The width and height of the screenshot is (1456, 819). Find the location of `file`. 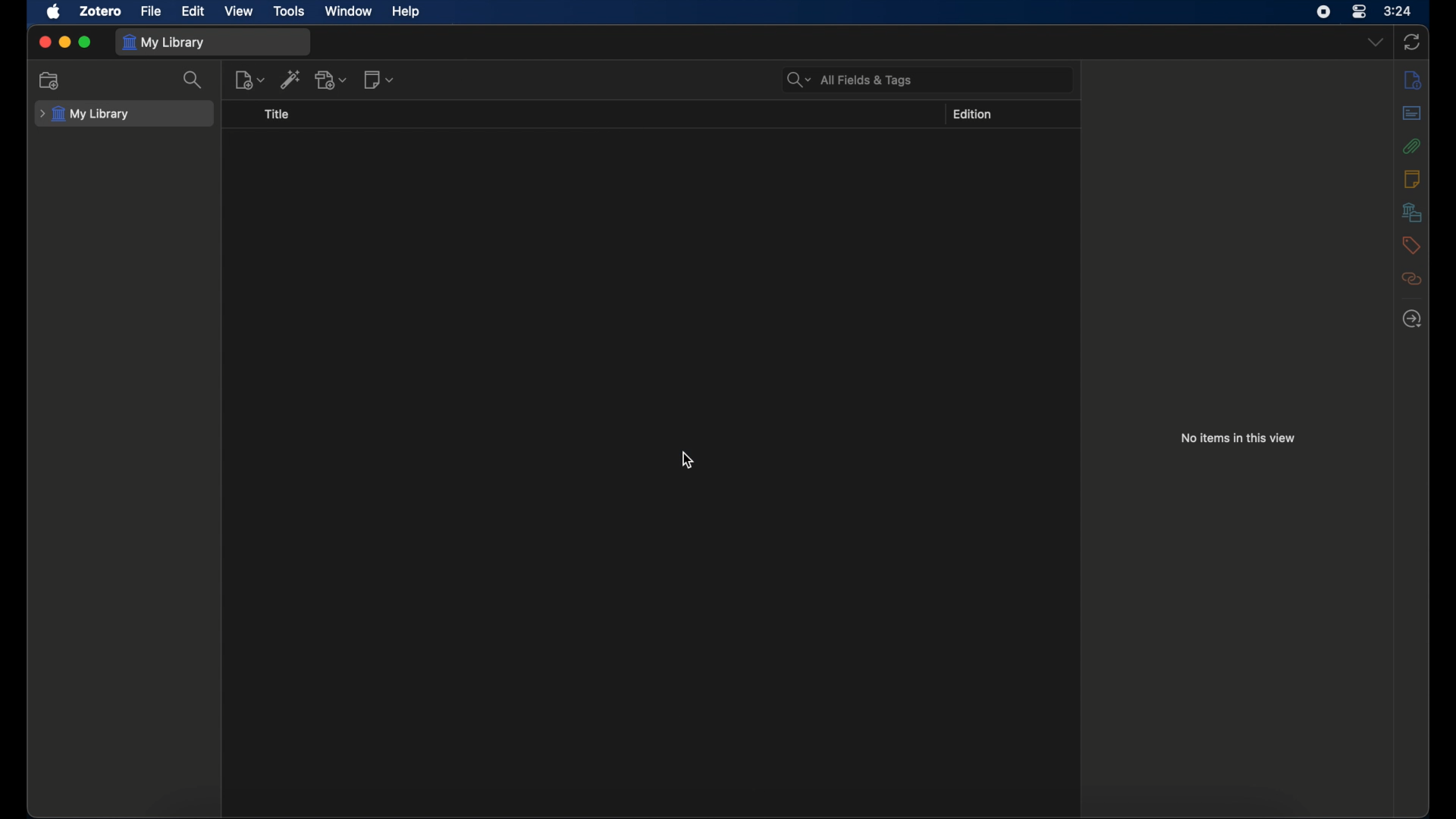

file is located at coordinates (152, 12).